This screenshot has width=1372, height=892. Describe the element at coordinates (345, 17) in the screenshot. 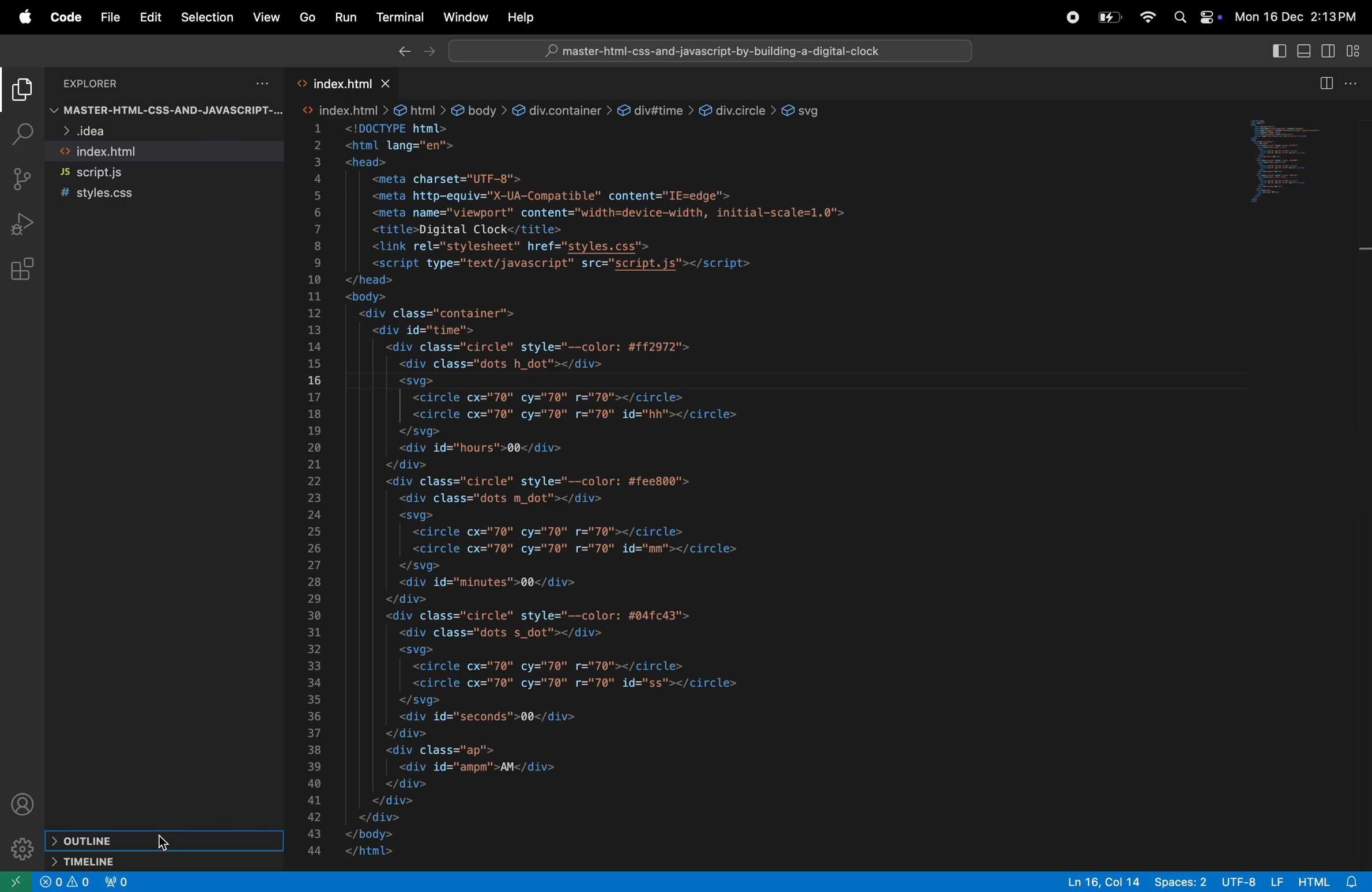

I see `Run` at that location.